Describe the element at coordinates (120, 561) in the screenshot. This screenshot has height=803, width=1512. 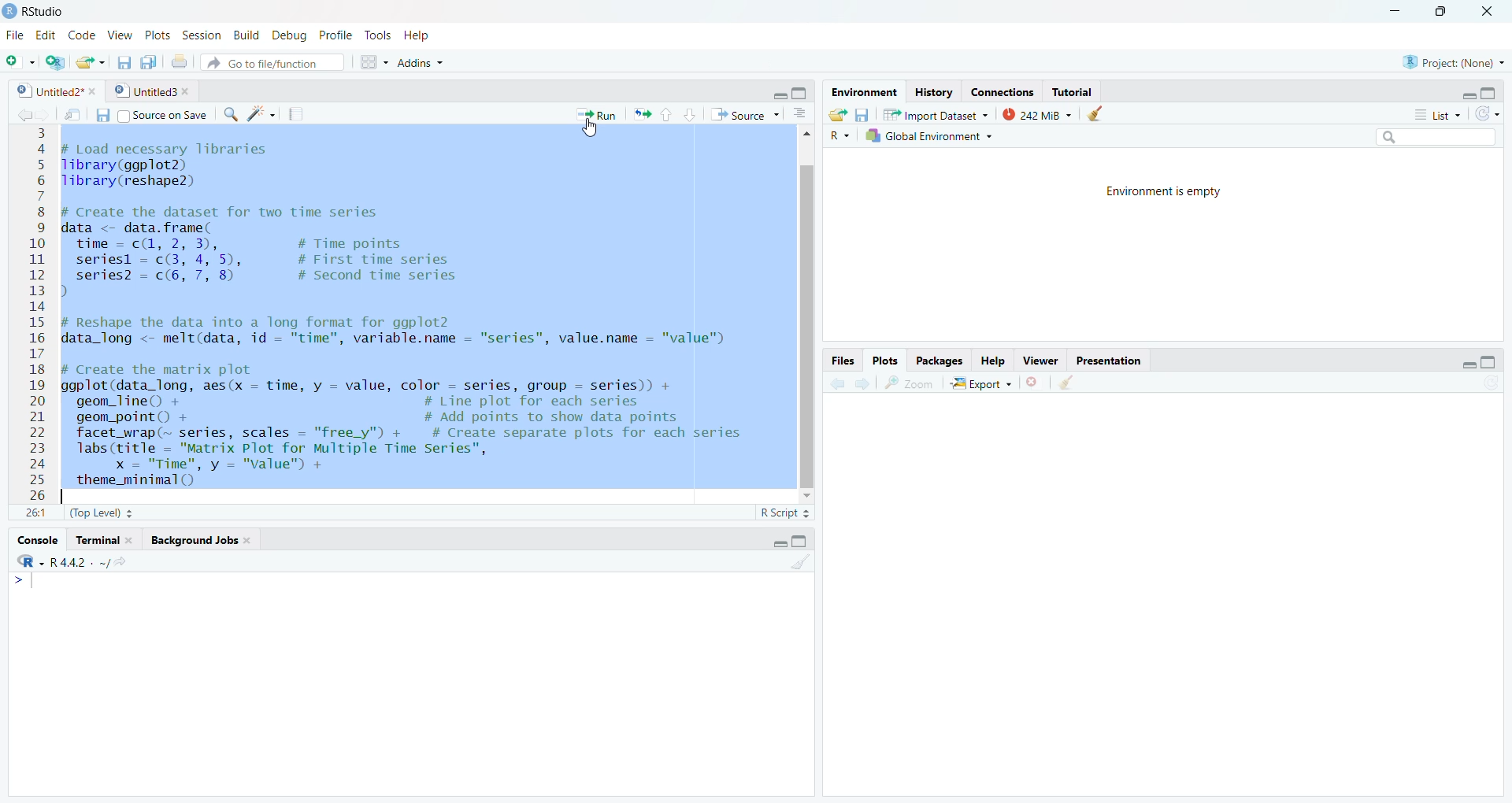
I see `view current working directory` at that location.